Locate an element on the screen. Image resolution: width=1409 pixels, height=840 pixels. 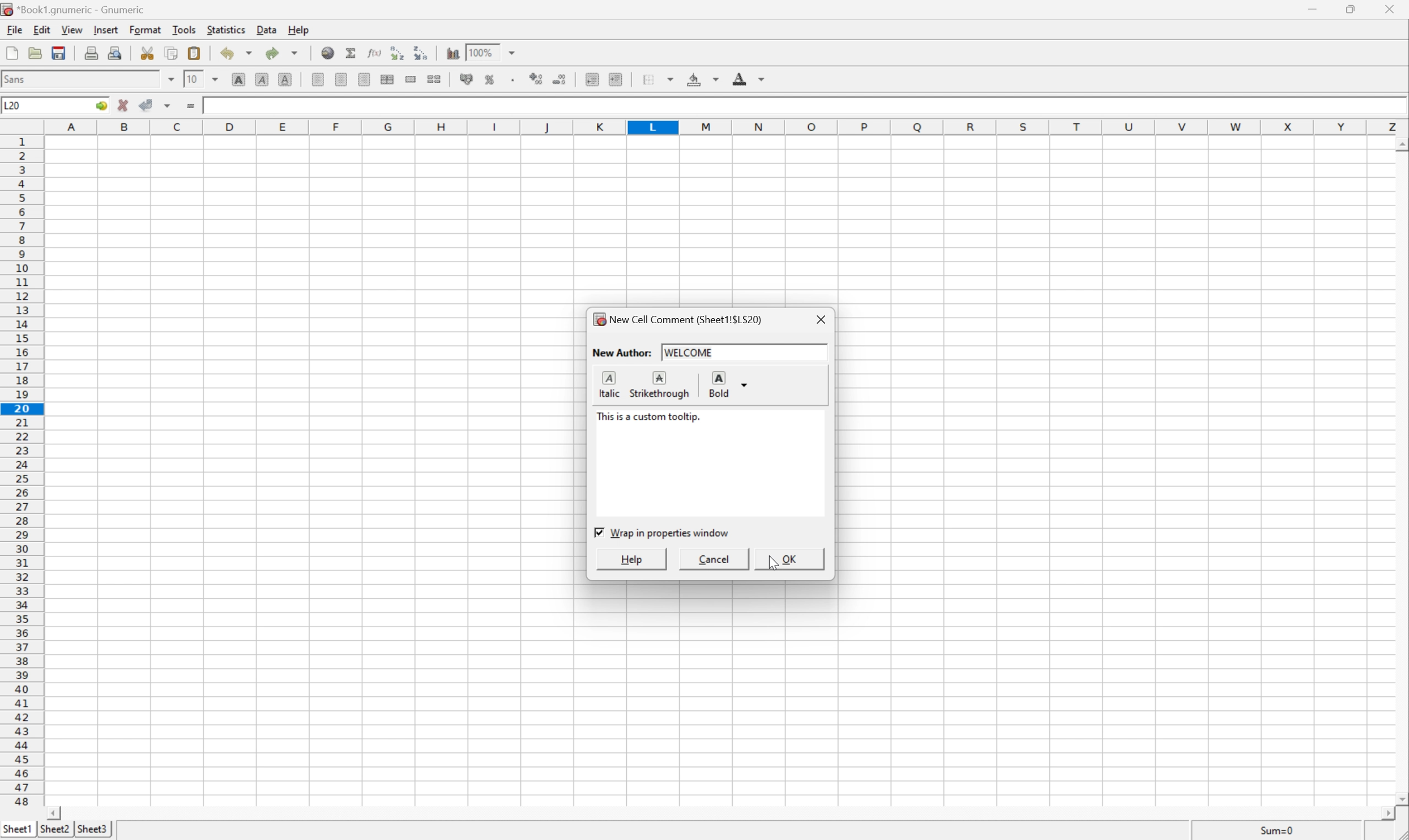
Cancel is located at coordinates (715, 560).